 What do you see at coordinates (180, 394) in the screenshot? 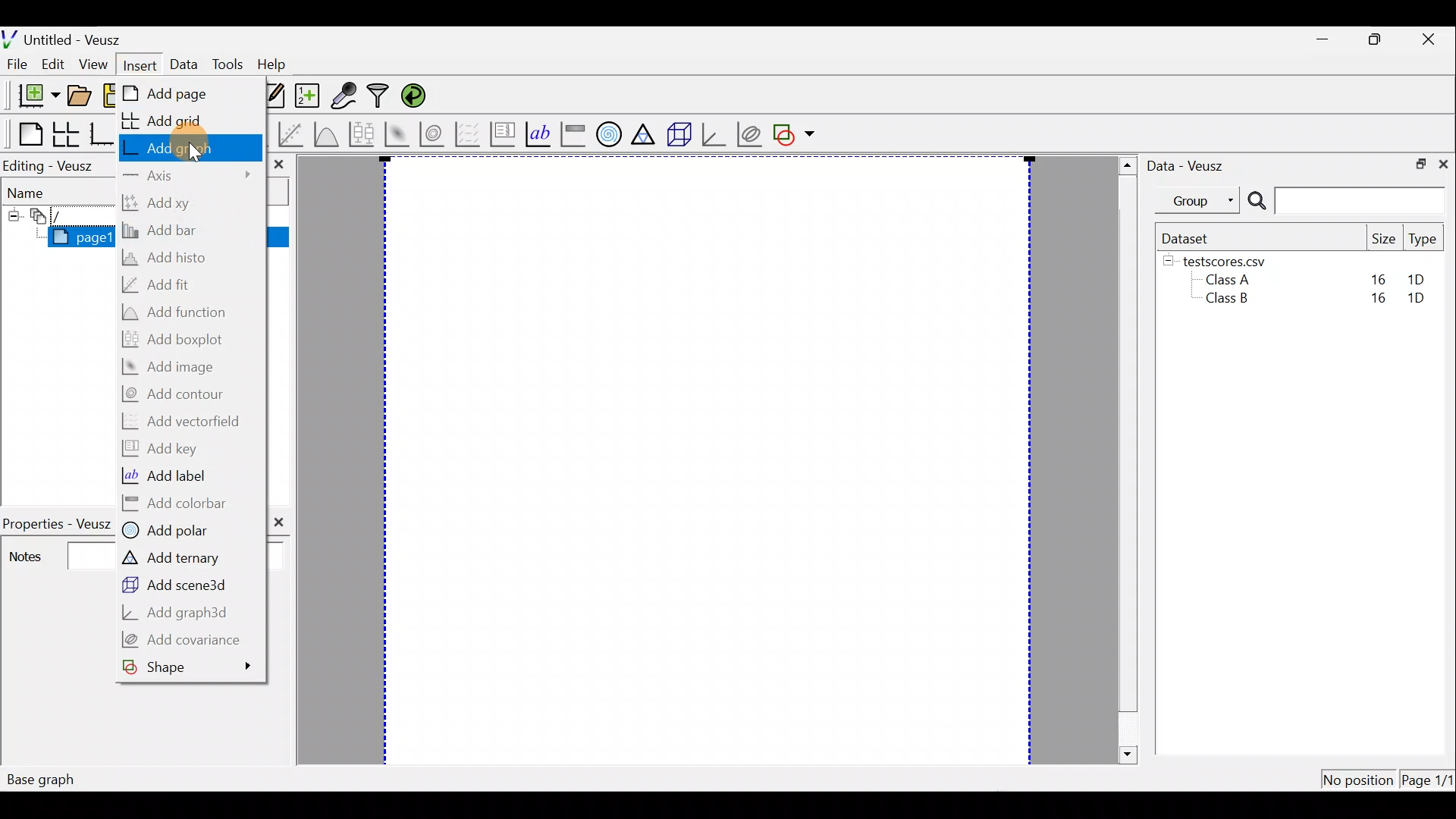
I see `Add contour` at bounding box center [180, 394].